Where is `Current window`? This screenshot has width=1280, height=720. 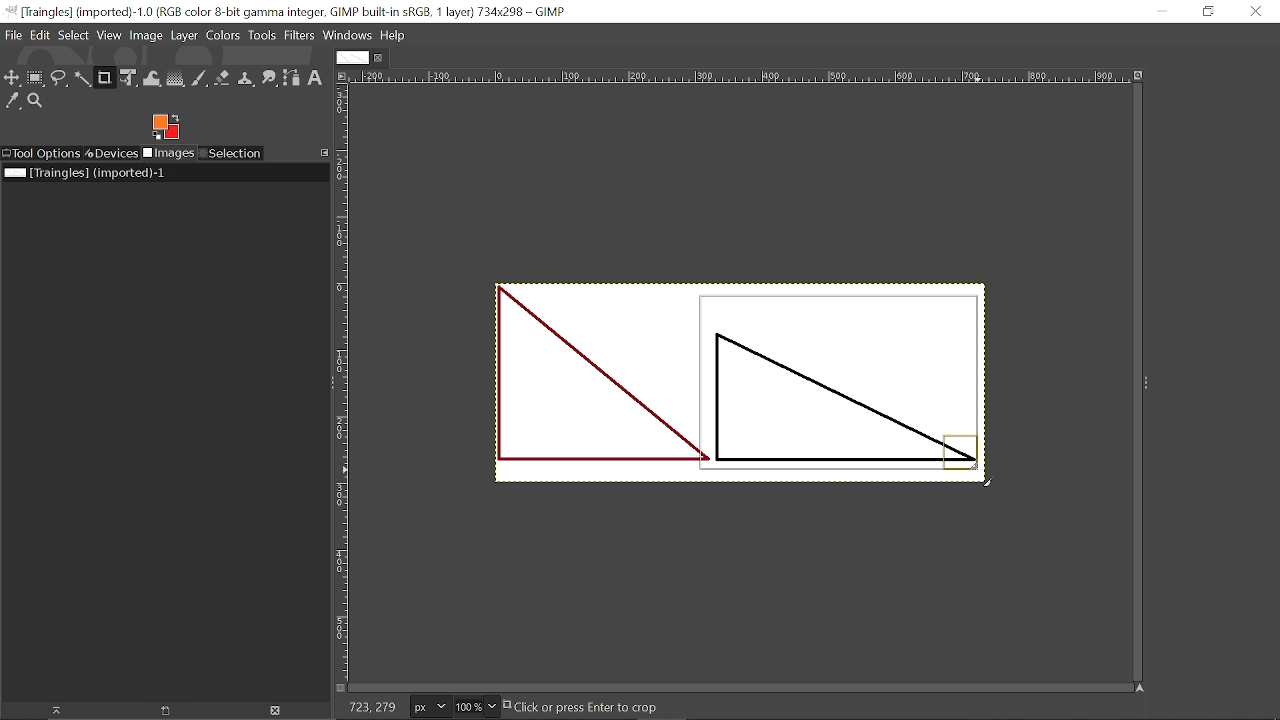
Current window is located at coordinates (290, 11).